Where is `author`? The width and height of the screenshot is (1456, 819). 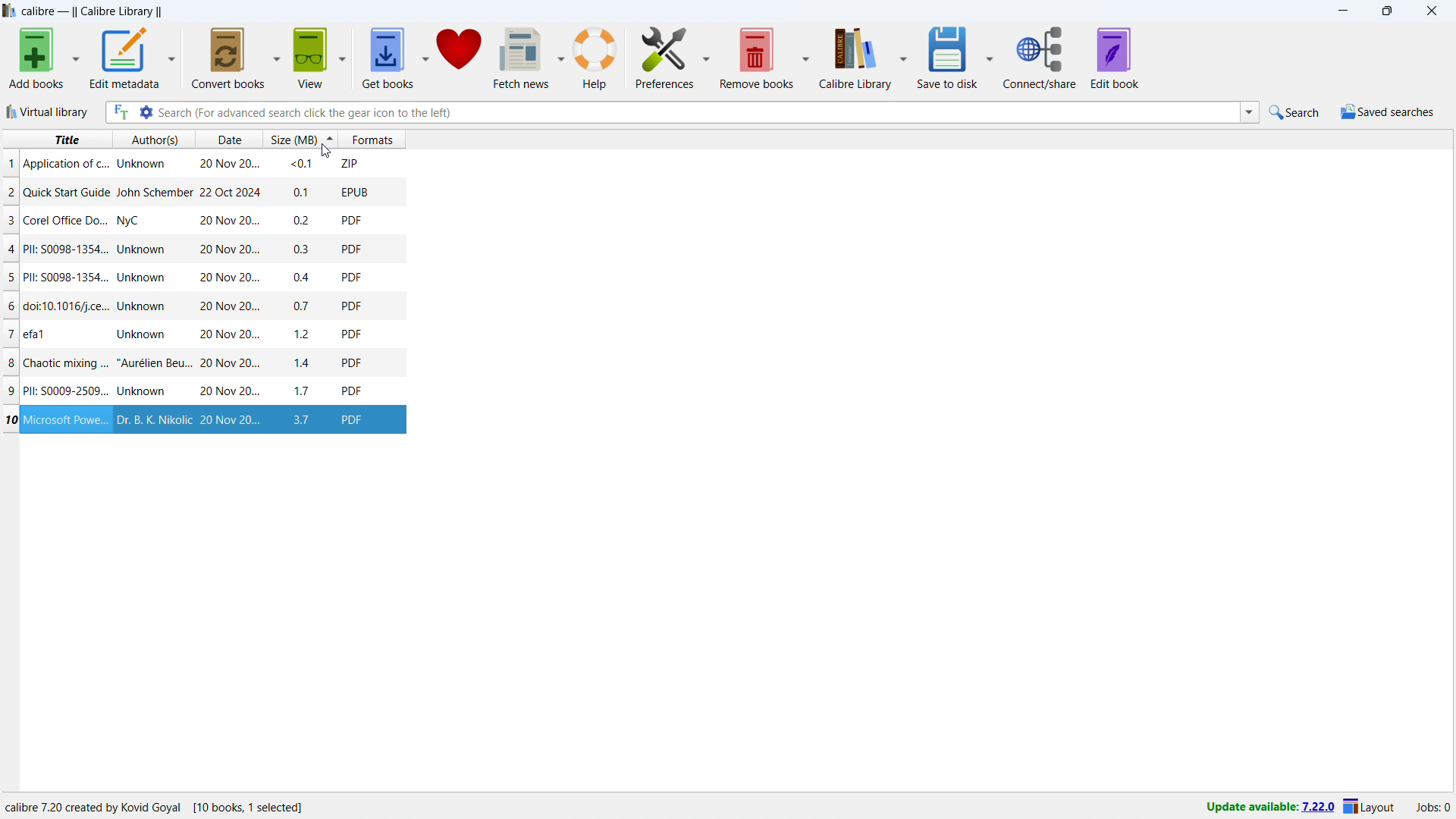
author is located at coordinates (146, 336).